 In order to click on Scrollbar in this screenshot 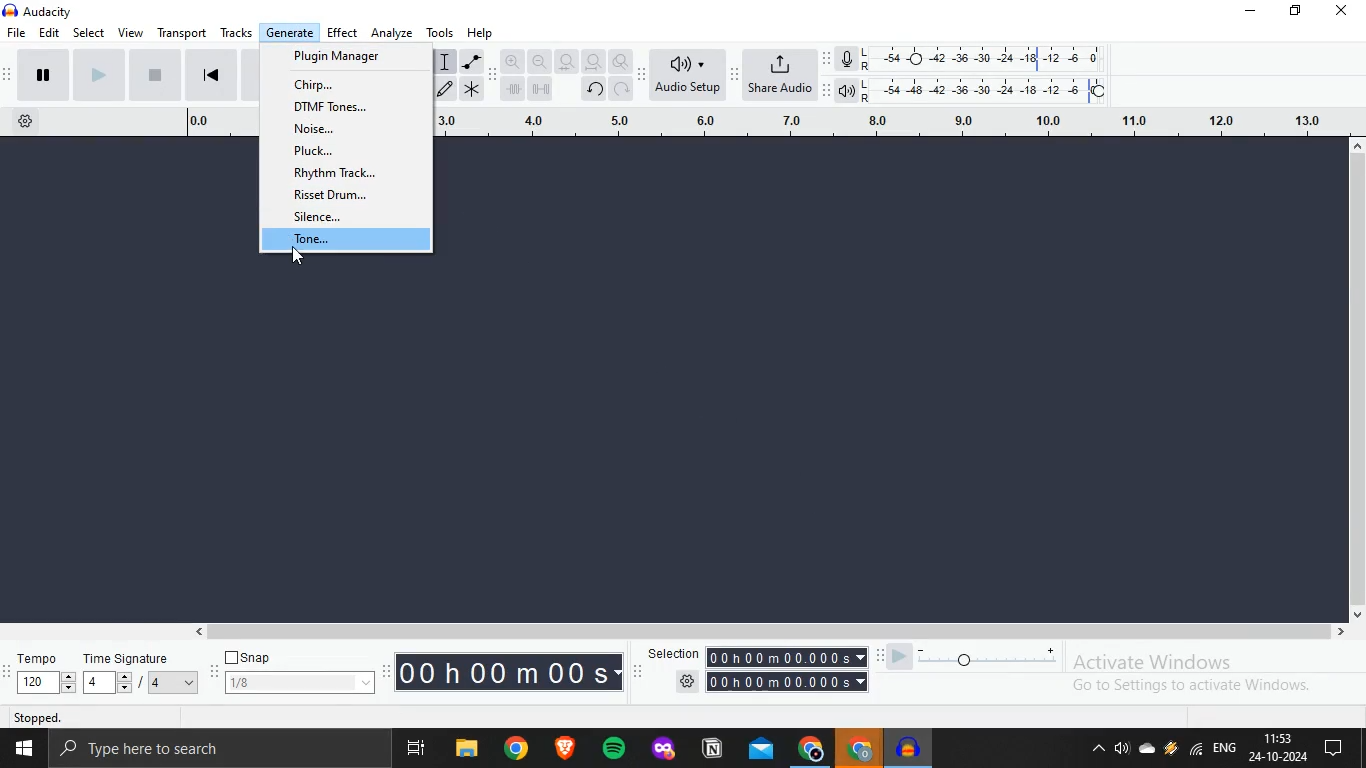, I will do `click(771, 633)`.